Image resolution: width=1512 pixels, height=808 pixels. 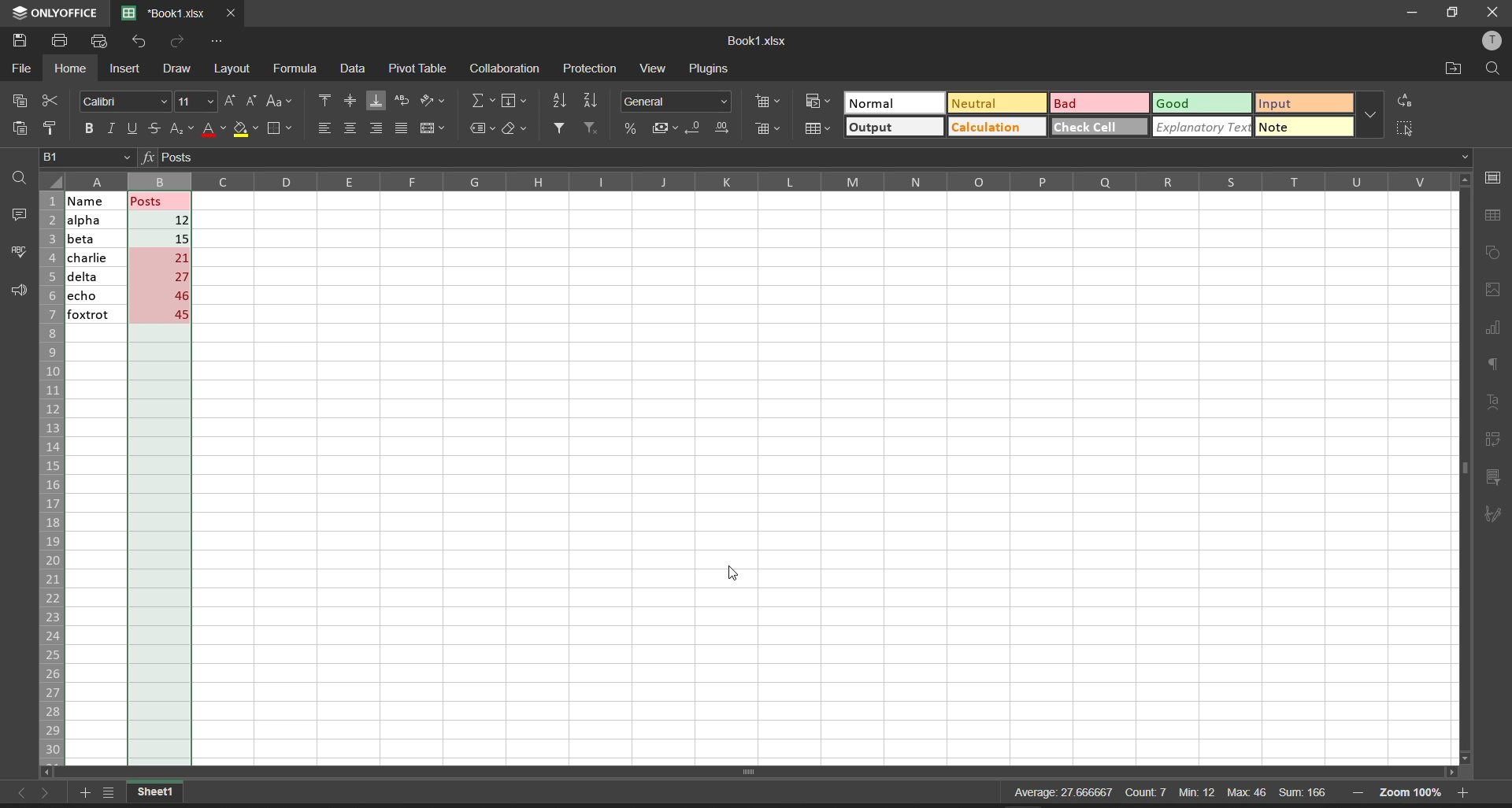 I want to click on table settings, so click(x=1497, y=216).